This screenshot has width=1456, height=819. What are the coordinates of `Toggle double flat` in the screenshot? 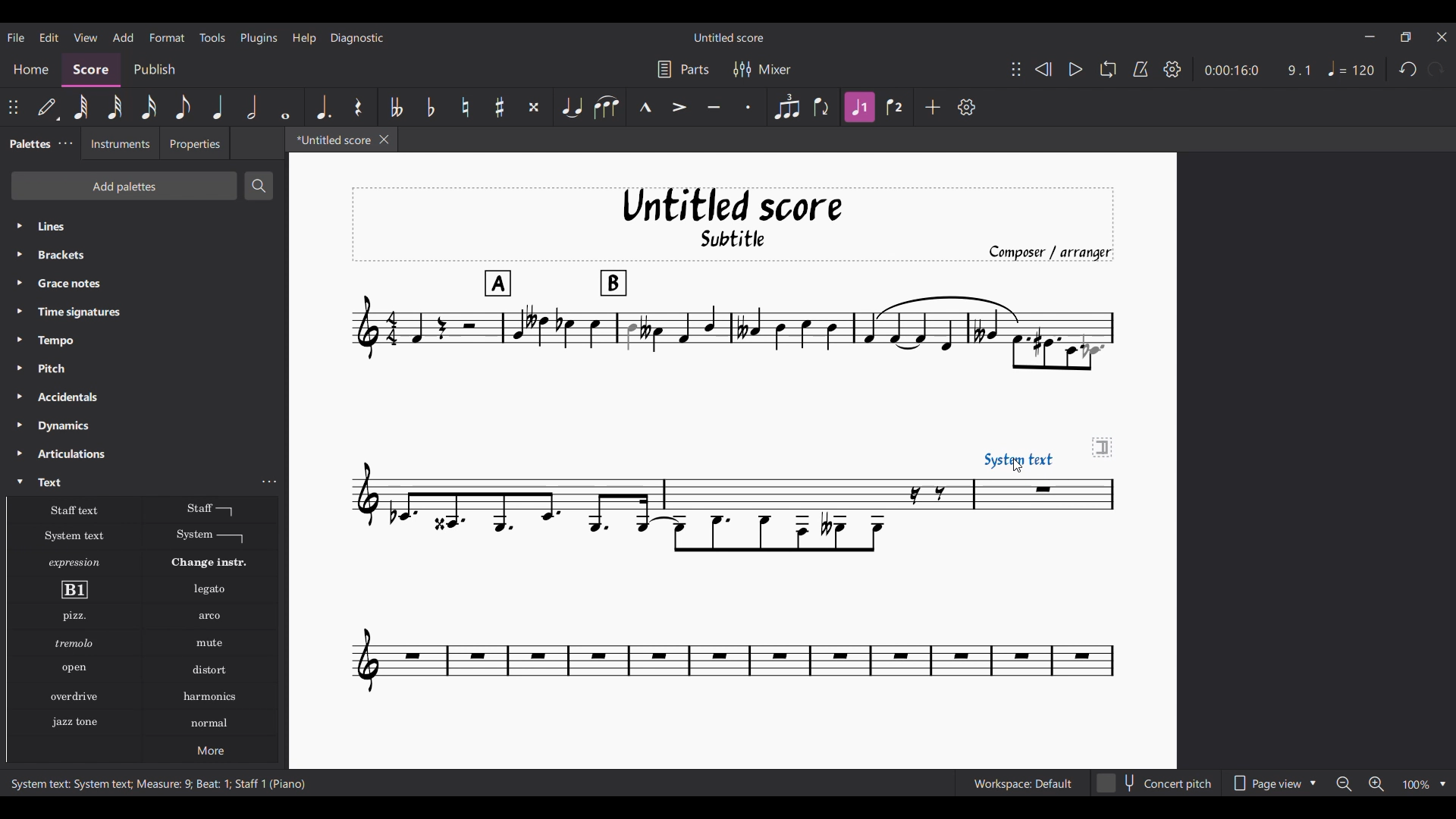 It's located at (394, 107).